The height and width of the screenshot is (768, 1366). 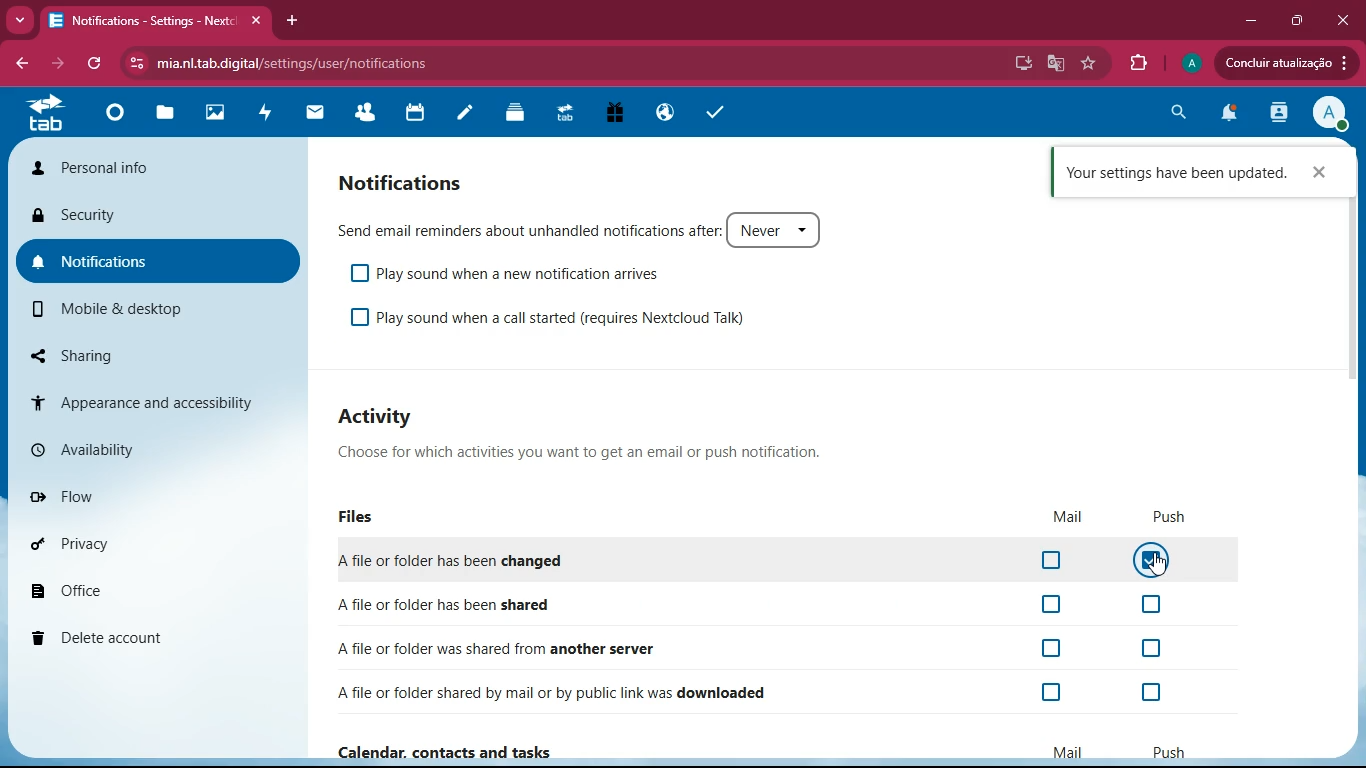 I want to click on send email, so click(x=527, y=229).